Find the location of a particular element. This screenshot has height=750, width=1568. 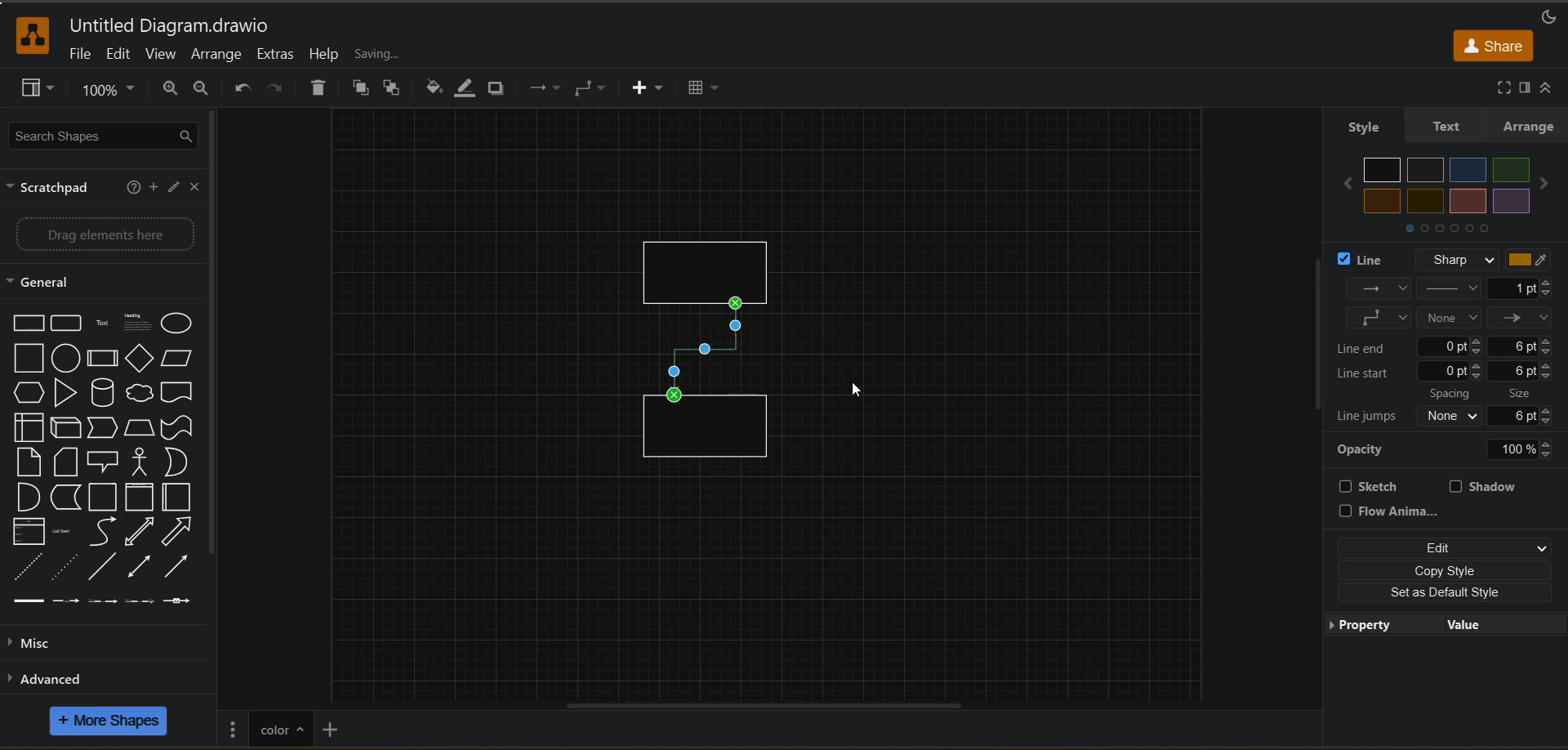

connection option is located at coordinates (1450, 303).